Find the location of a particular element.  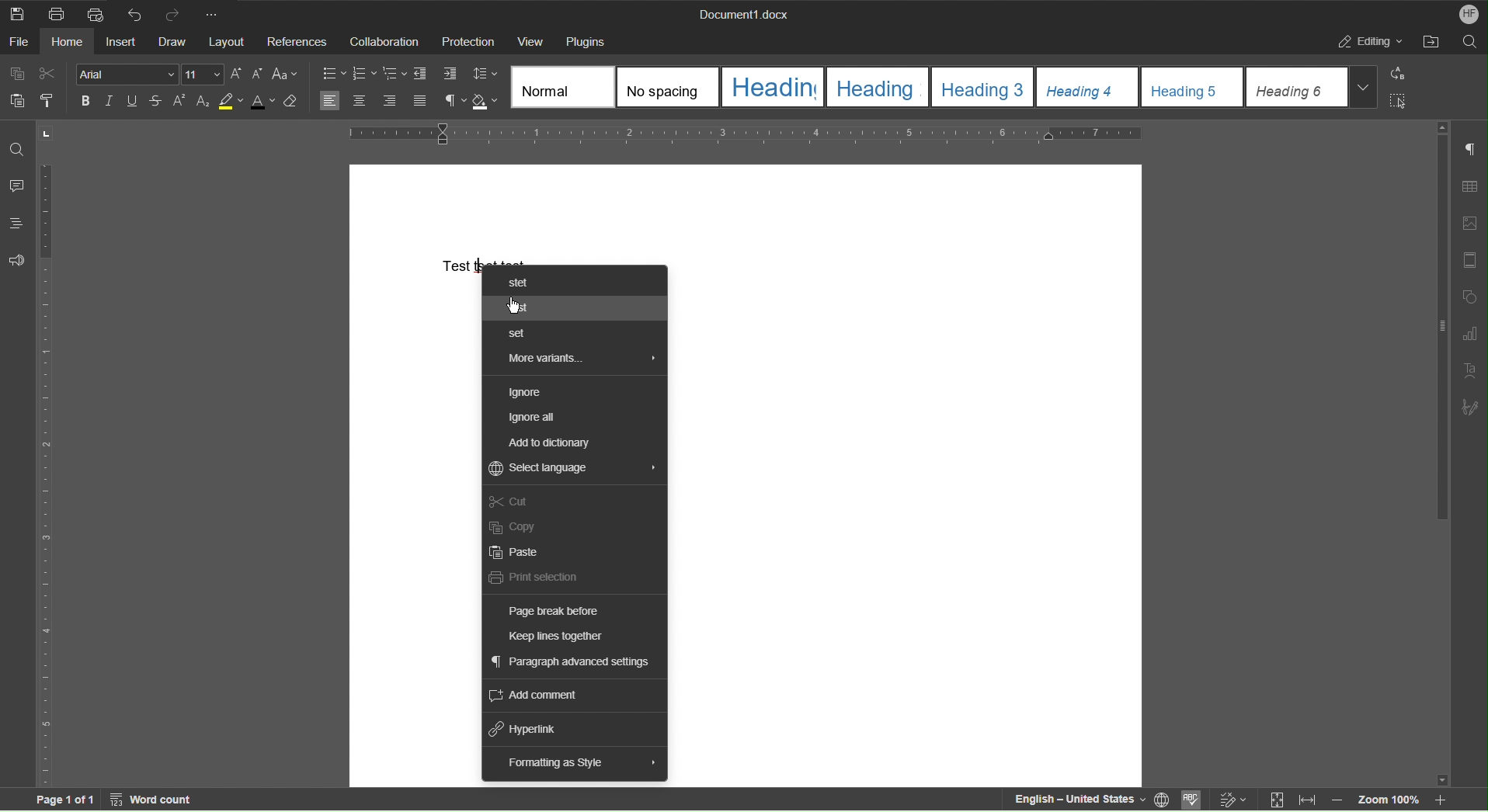

Reference is located at coordinates (294, 41).